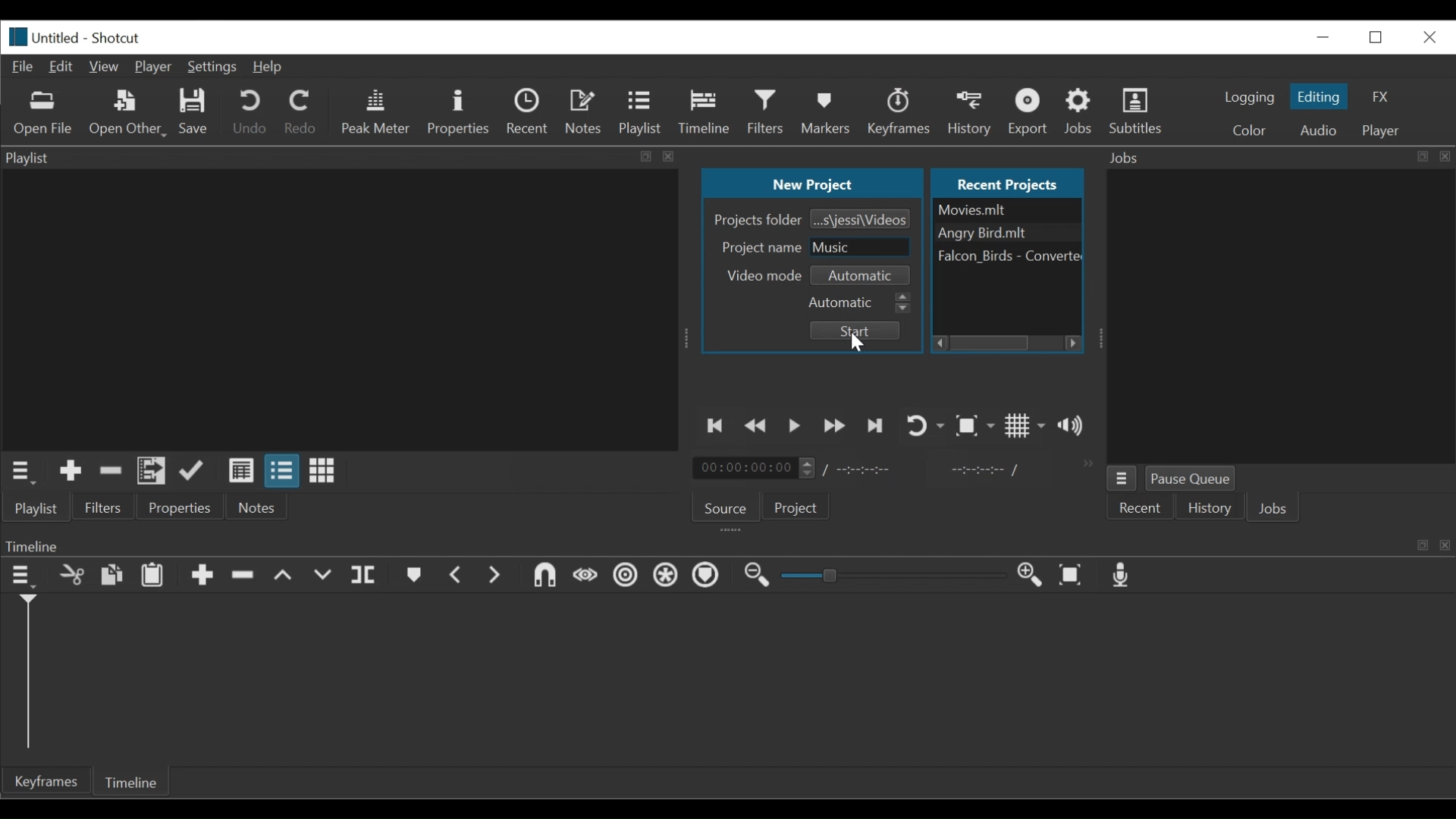  Describe the element at coordinates (973, 112) in the screenshot. I see `History` at that location.